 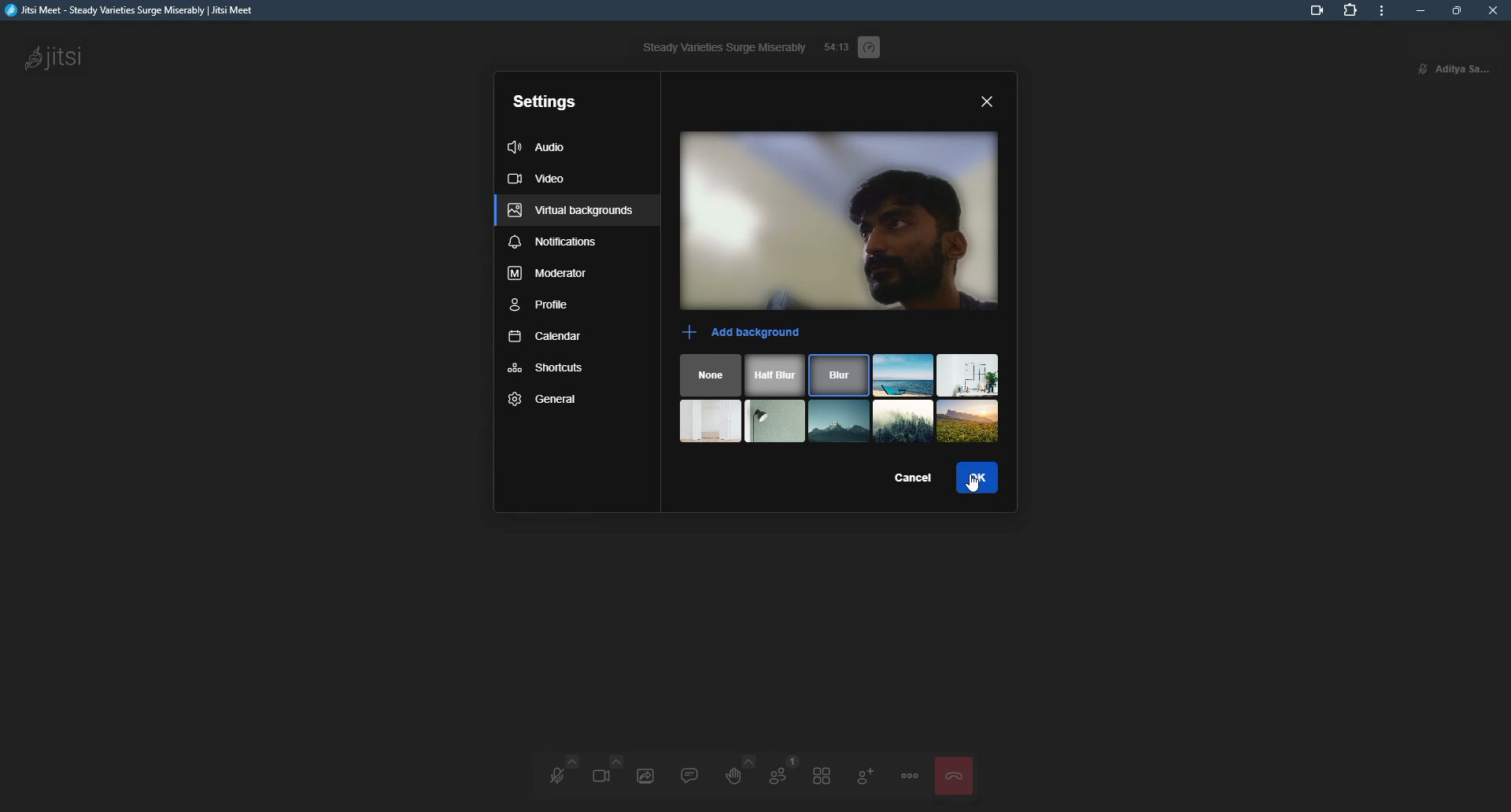 What do you see at coordinates (779, 773) in the screenshot?
I see `participants` at bounding box center [779, 773].